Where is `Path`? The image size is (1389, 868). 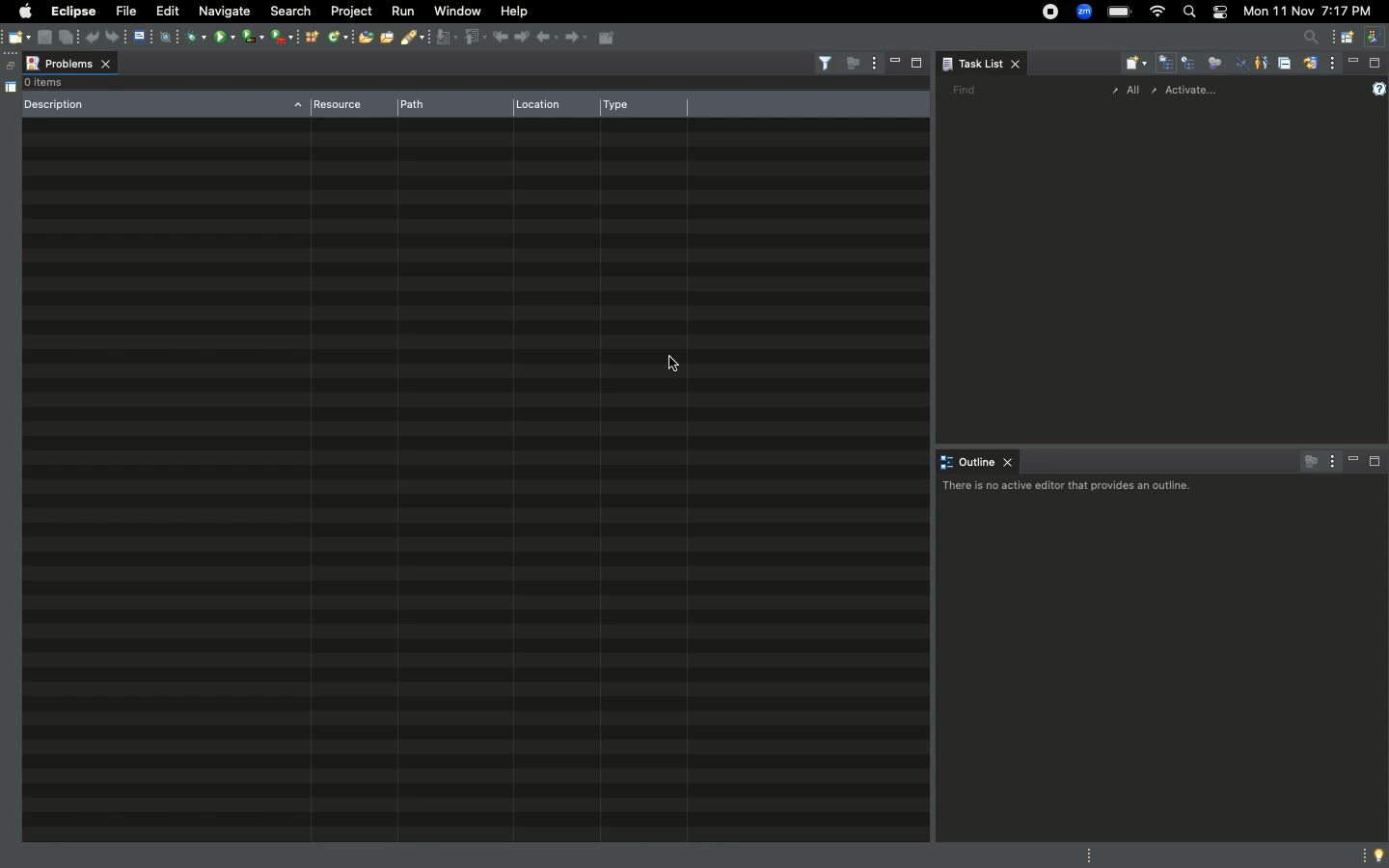 Path is located at coordinates (424, 105).